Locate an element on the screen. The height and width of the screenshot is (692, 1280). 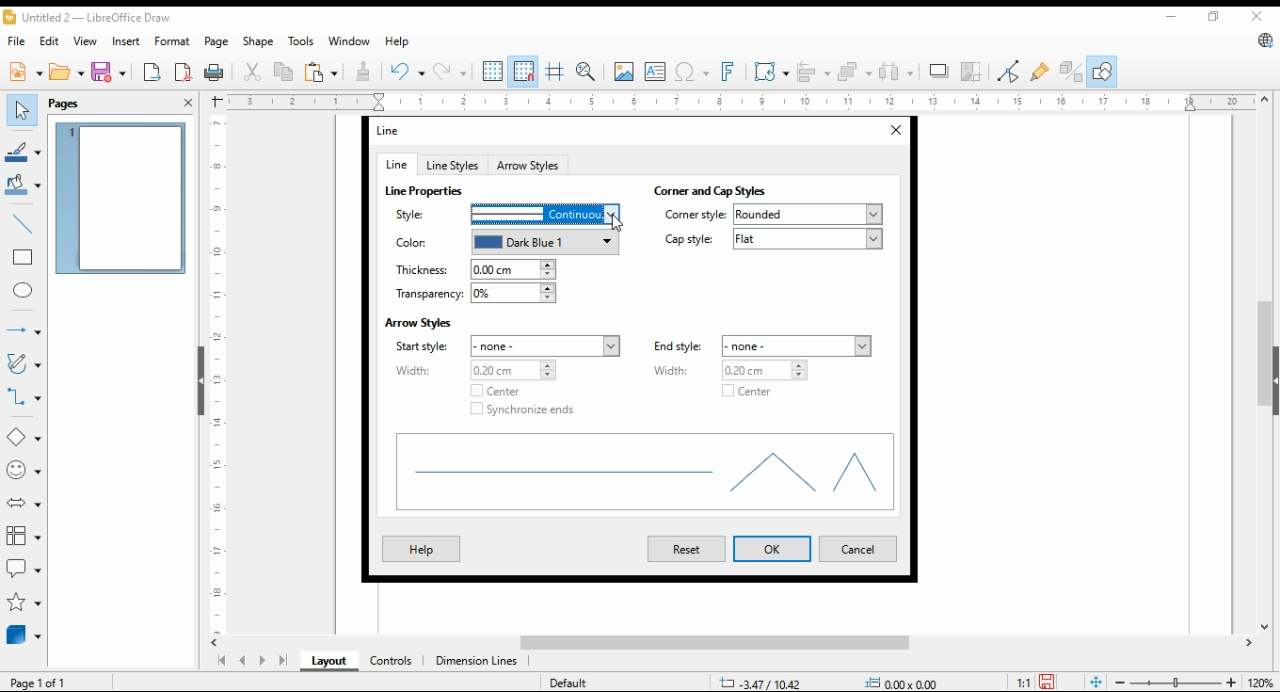
line pattern is located at coordinates (426, 191).